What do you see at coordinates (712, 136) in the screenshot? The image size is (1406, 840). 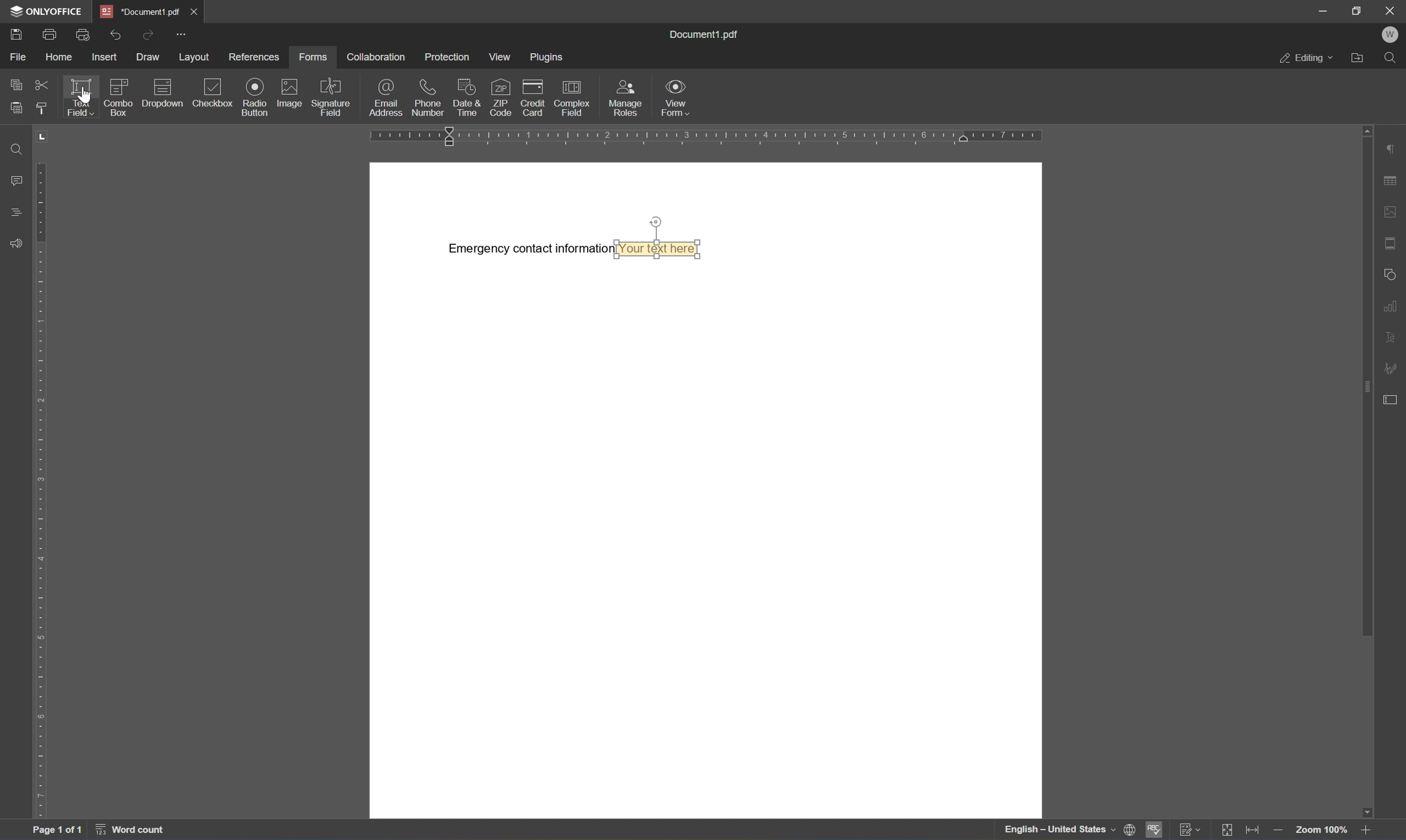 I see `ruler` at bounding box center [712, 136].